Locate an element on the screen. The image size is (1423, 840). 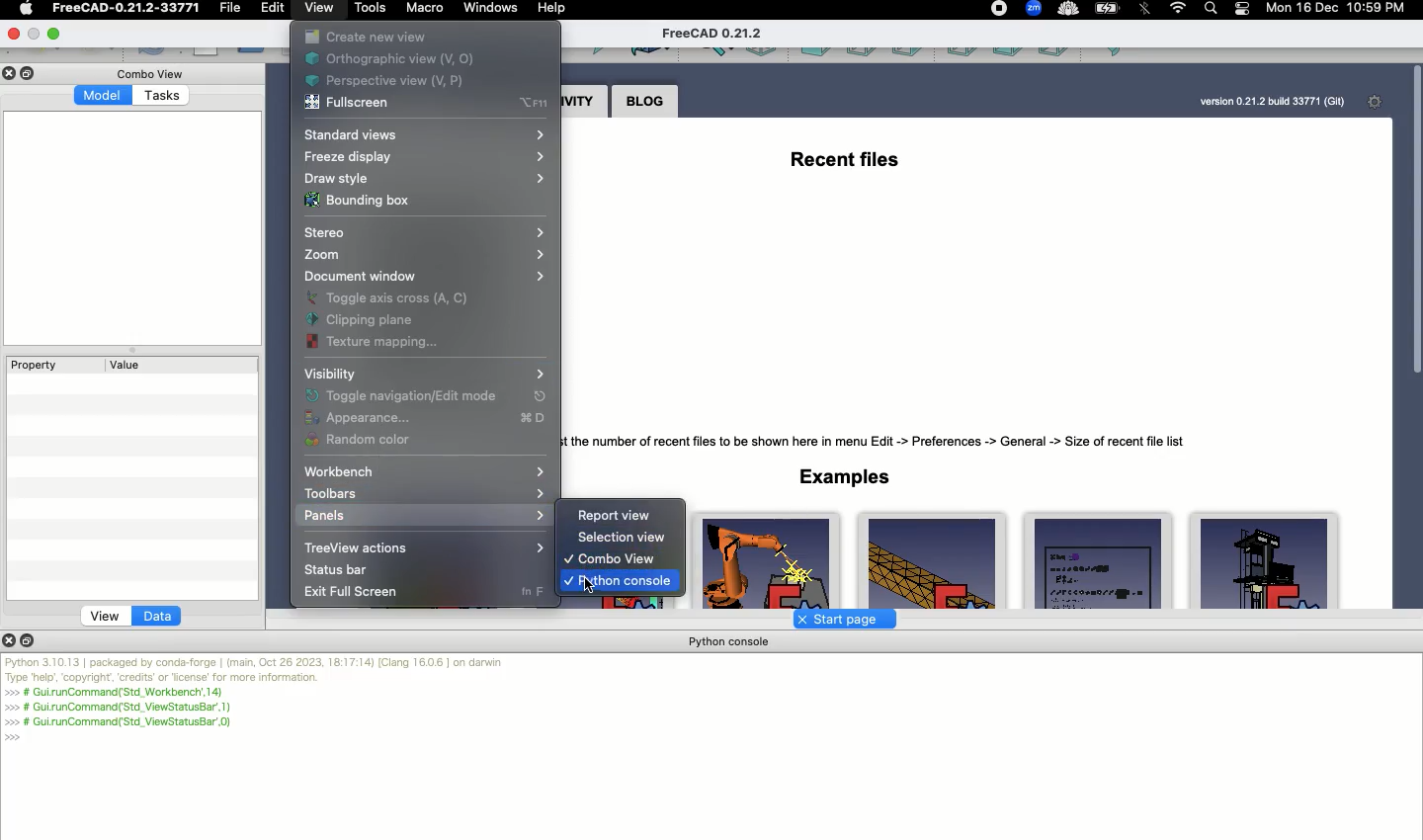
Fullscreen is located at coordinates (431, 105).